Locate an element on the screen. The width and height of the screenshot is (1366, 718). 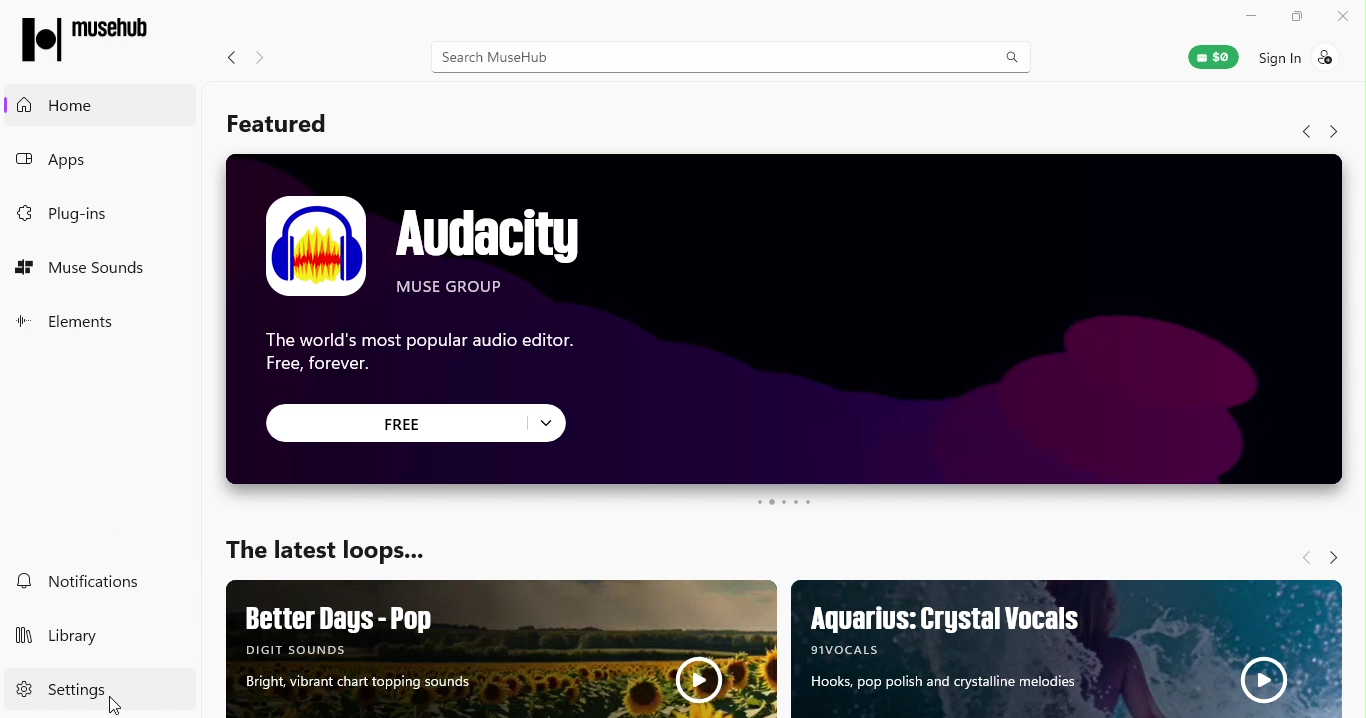
Close is located at coordinates (1347, 15).